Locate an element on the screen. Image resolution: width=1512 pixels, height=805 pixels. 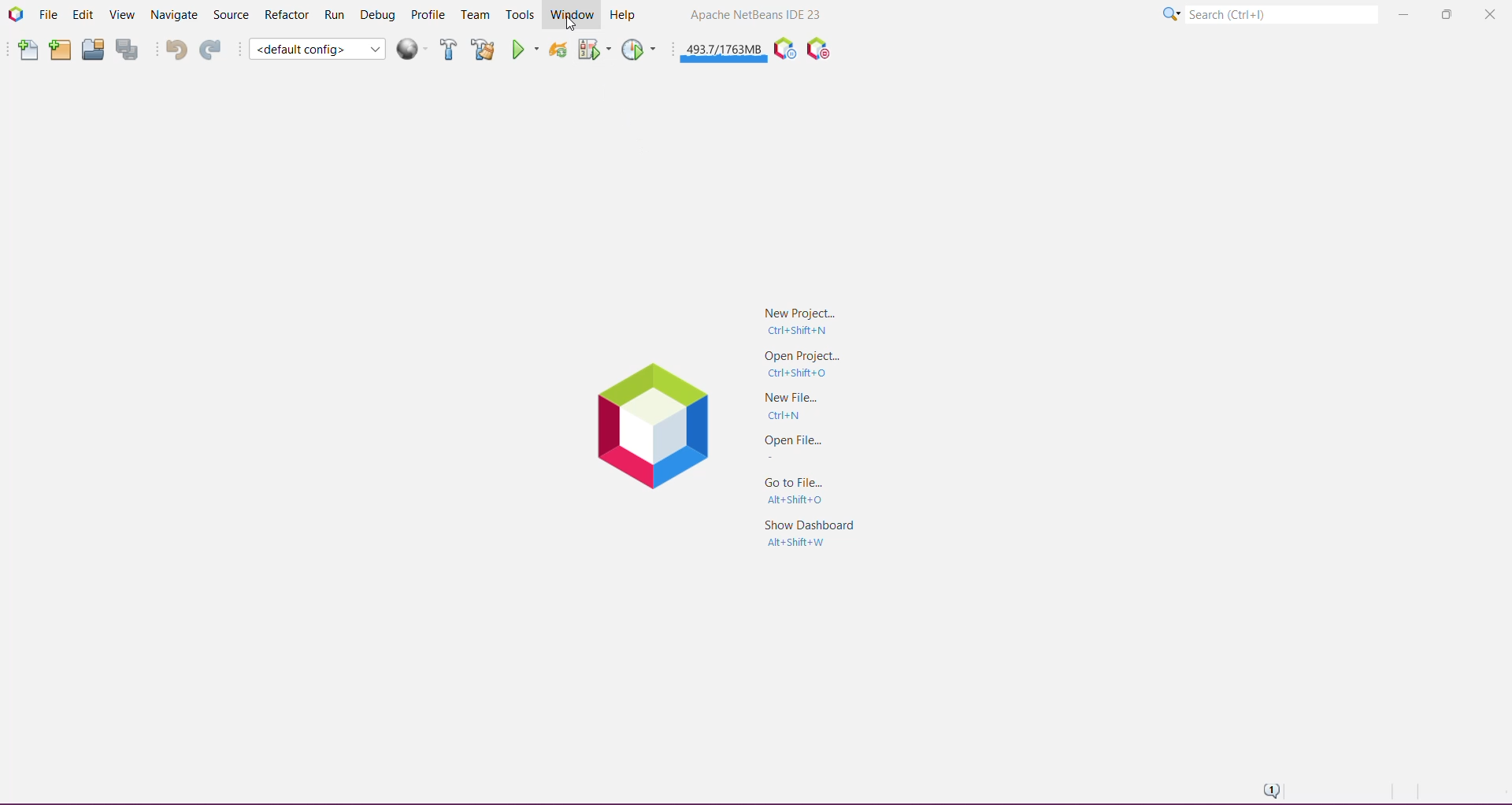
Edit is located at coordinates (82, 16).